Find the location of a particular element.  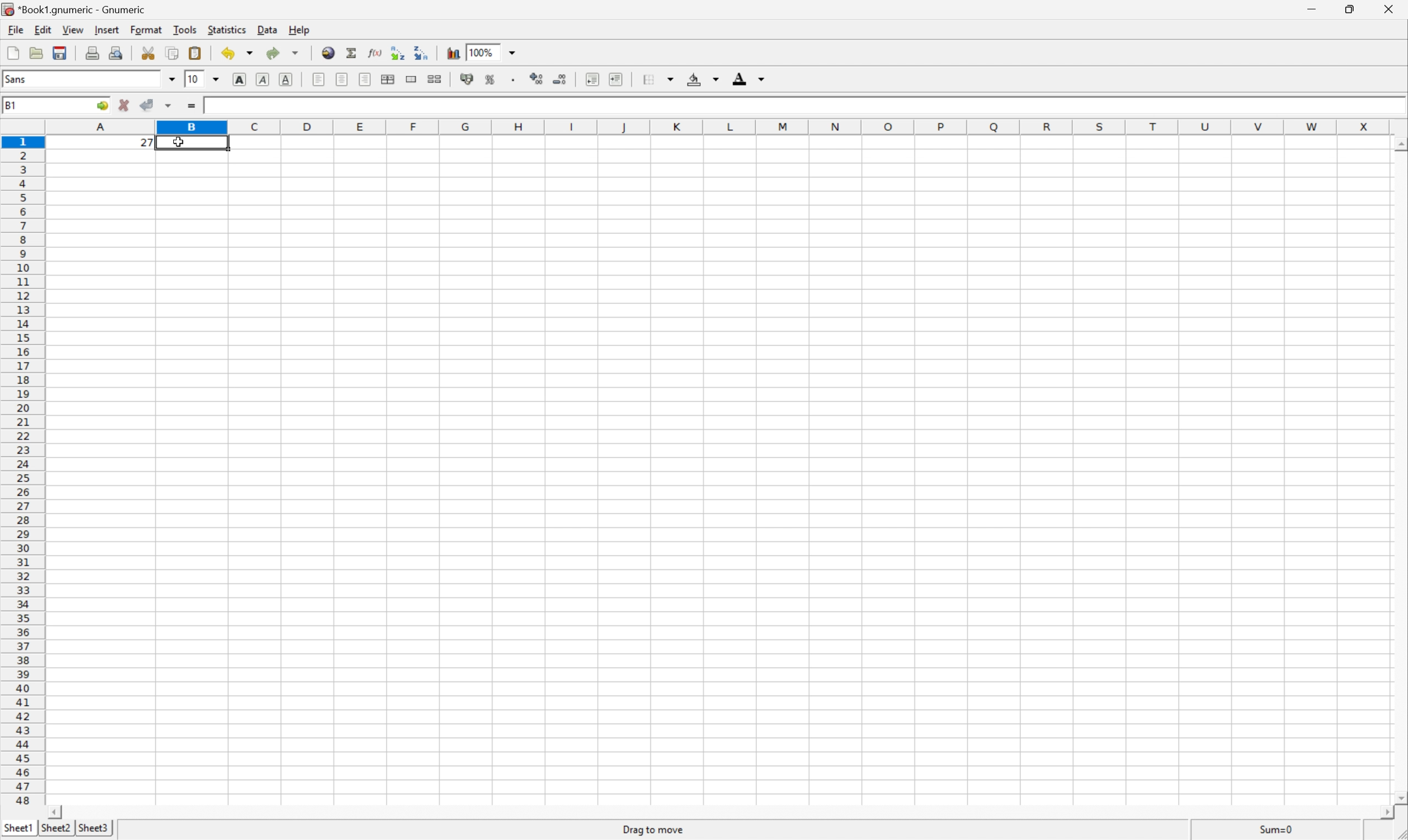

Sheet1 is located at coordinates (19, 828).